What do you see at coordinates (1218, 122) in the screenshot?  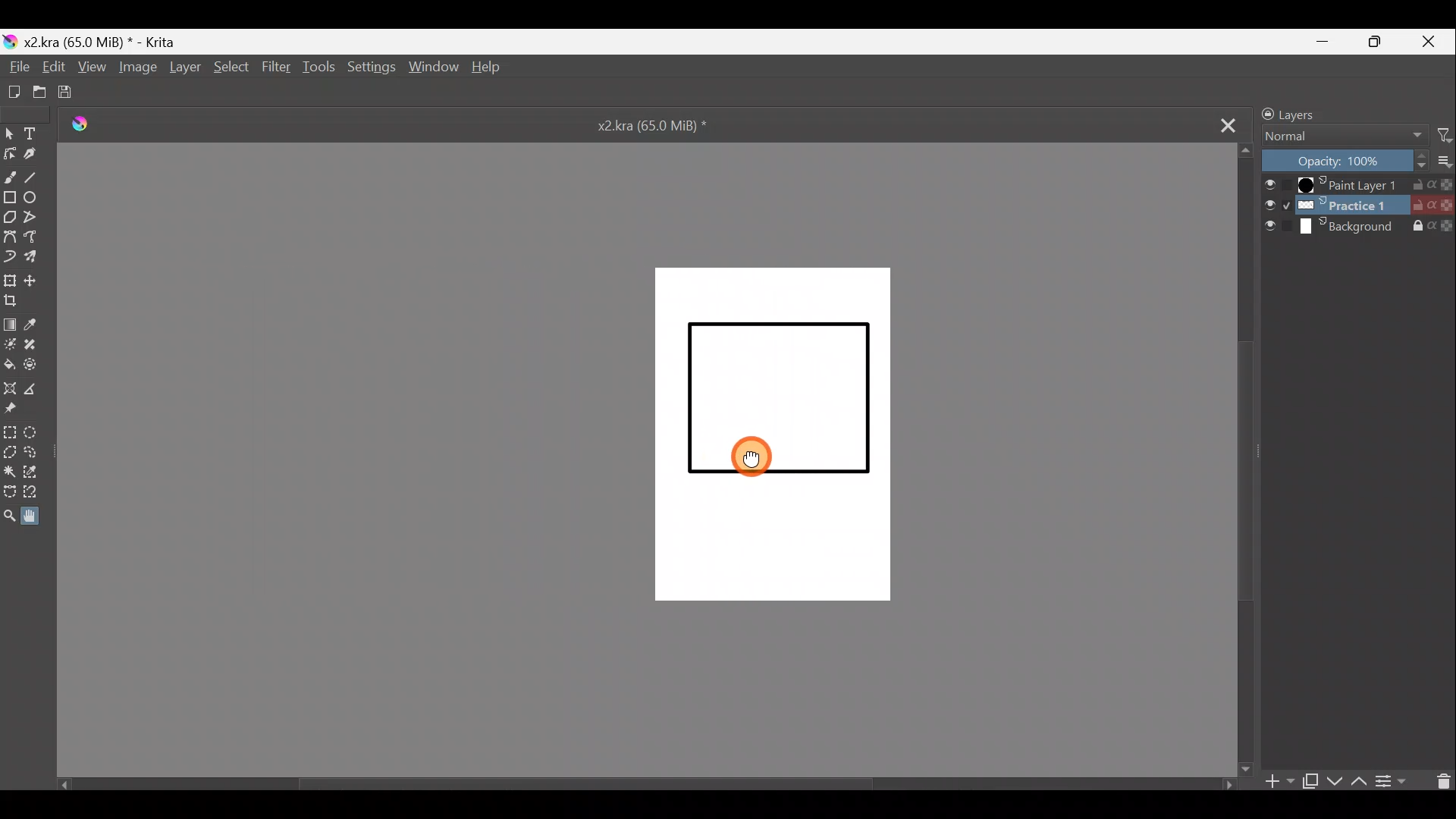 I see `Close tab` at bounding box center [1218, 122].